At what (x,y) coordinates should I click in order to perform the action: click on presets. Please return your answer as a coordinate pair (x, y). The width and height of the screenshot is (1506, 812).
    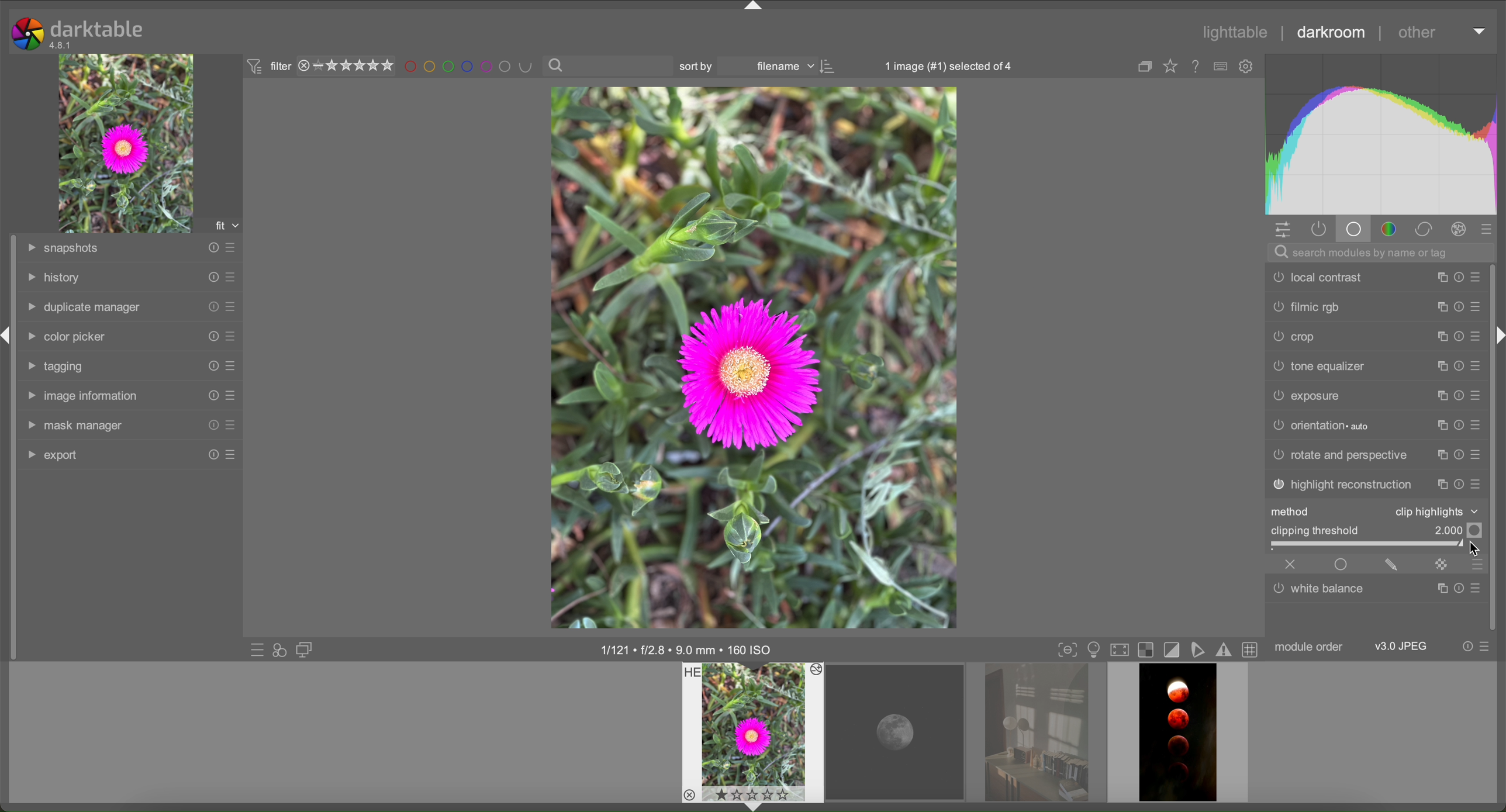
    Looking at the image, I should click on (230, 455).